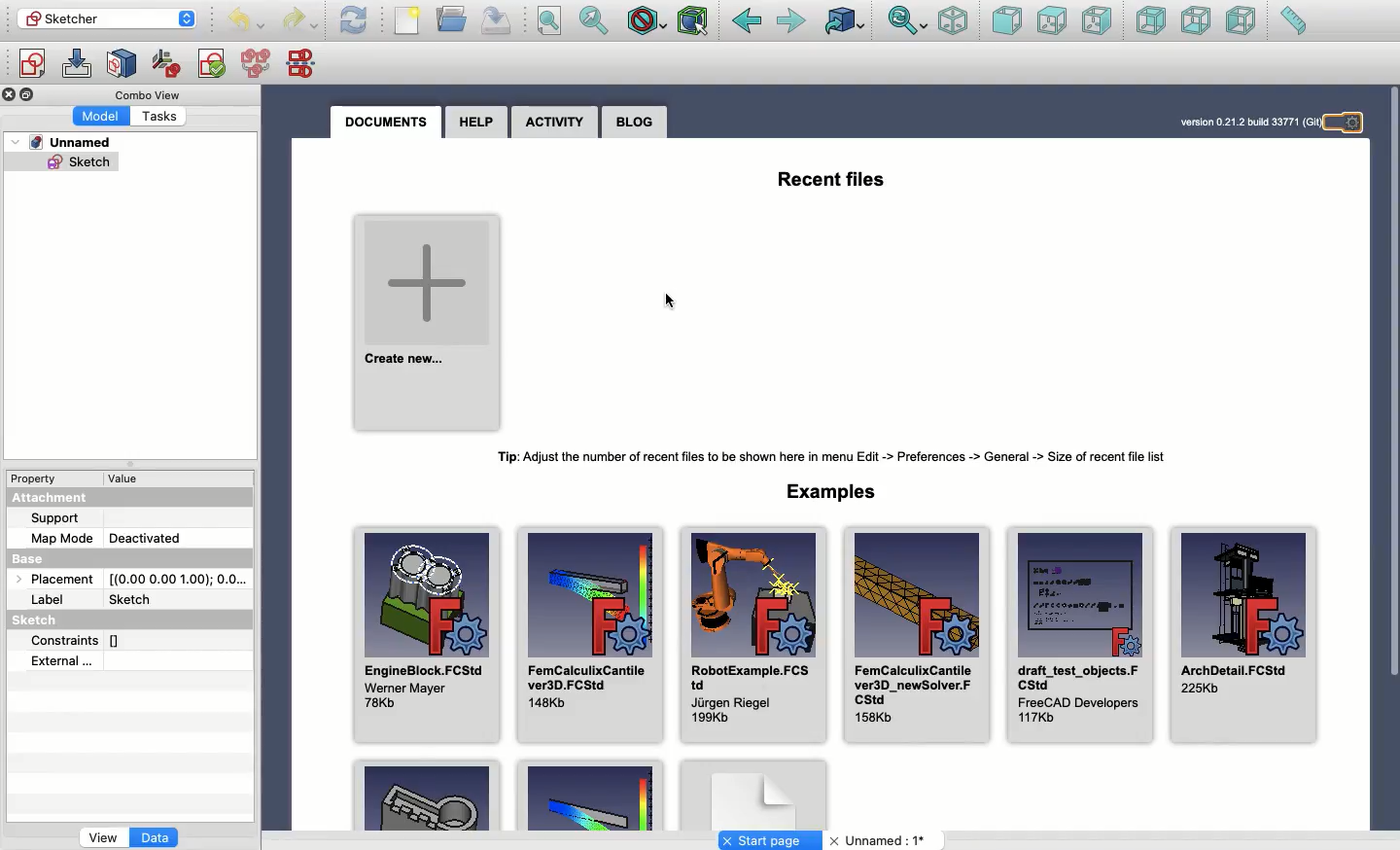 The width and height of the screenshot is (1400, 850). Describe the element at coordinates (588, 797) in the screenshot. I see `Example 2` at that location.